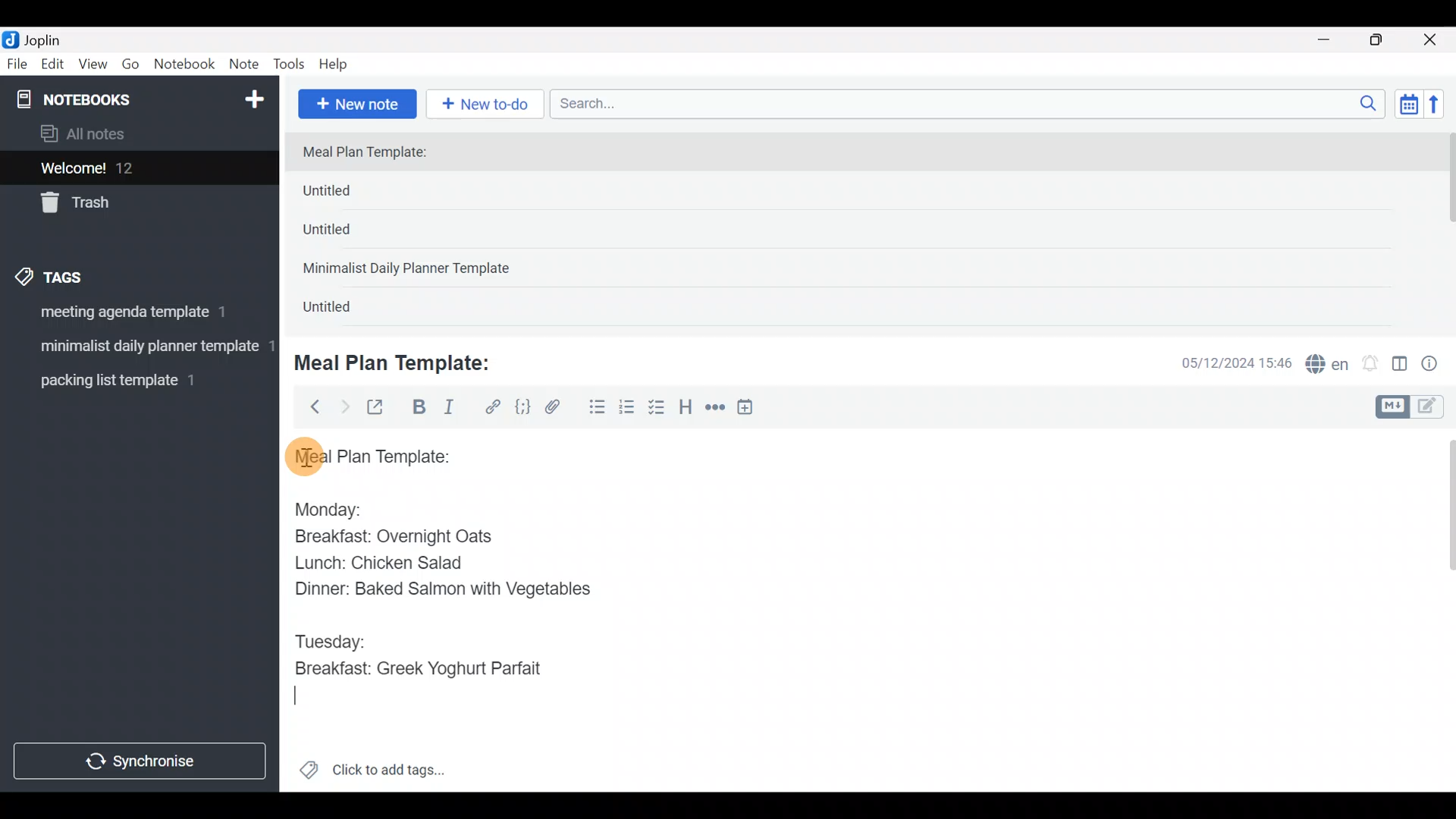 The image size is (1456, 819). What do you see at coordinates (347, 234) in the screenshot?
I see `Untitled` at bounding box center [347, 234].